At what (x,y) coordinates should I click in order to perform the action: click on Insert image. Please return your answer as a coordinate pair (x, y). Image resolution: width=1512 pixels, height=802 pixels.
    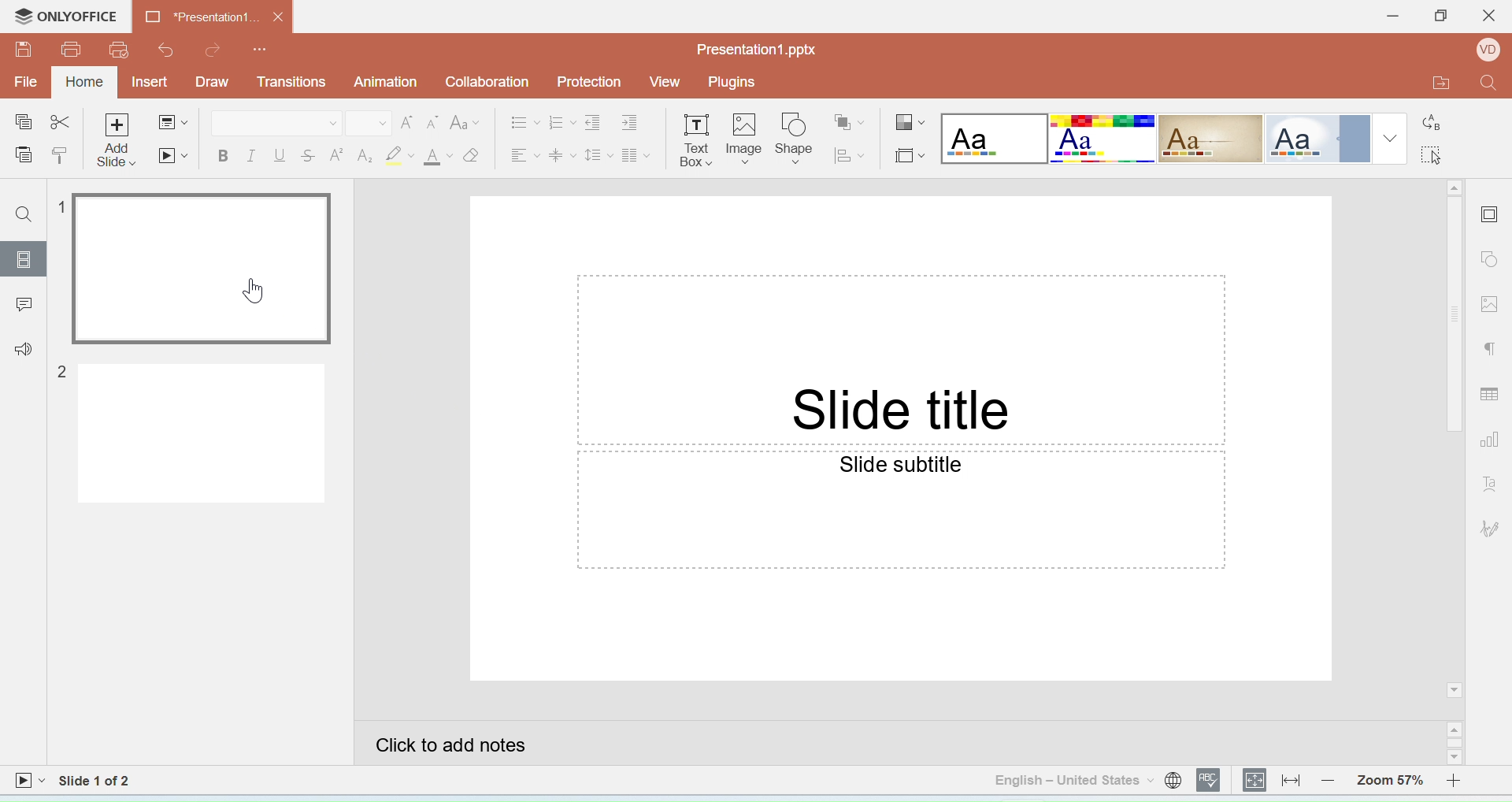
    Looking at the image, I should click on (745, 141).